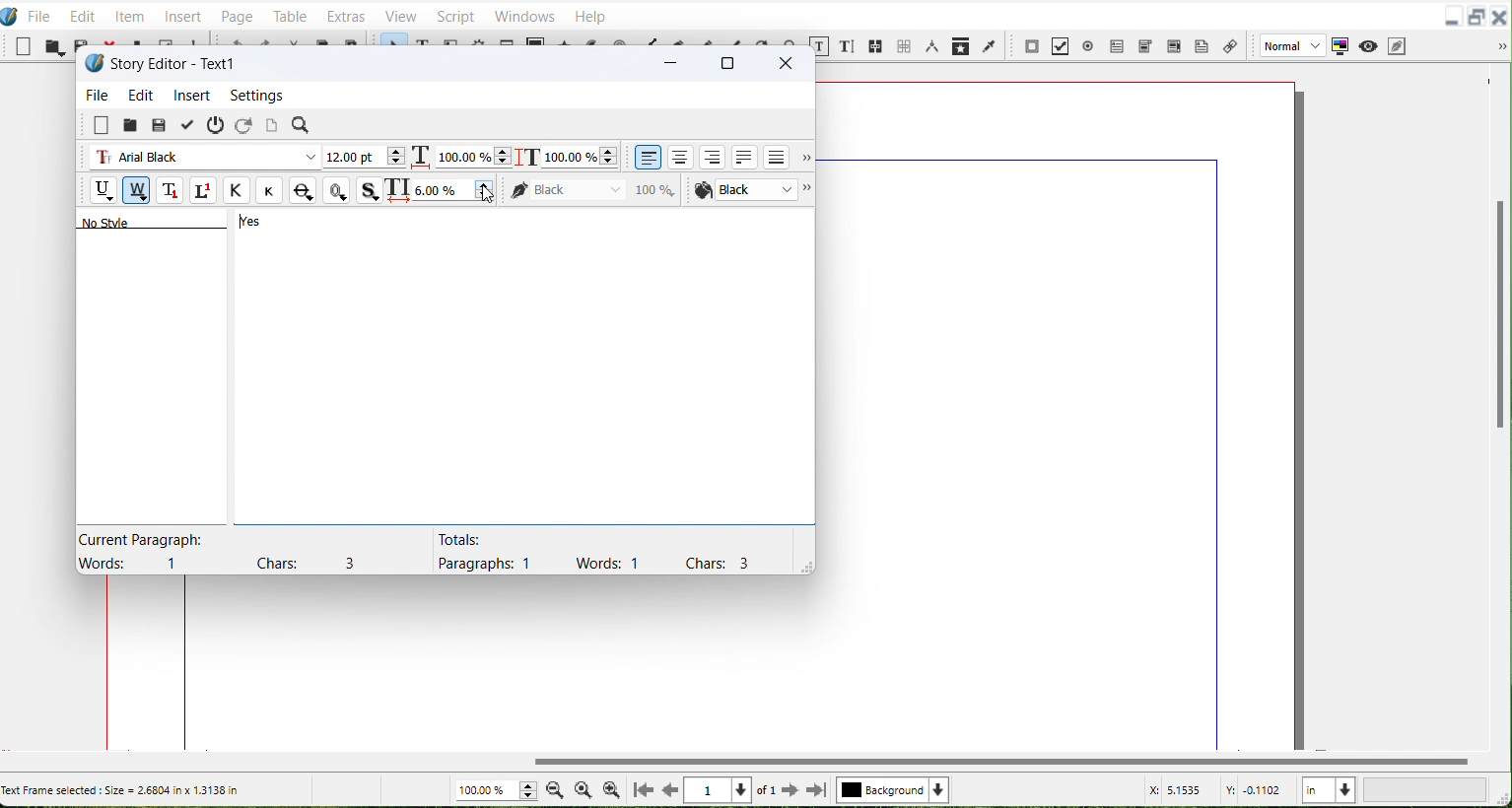 The width and height of the screenshot is (1512, 808). Describe the element at coordinates (1496, 406) in the screenshot. I see `Vertical scroll bar` at that location.